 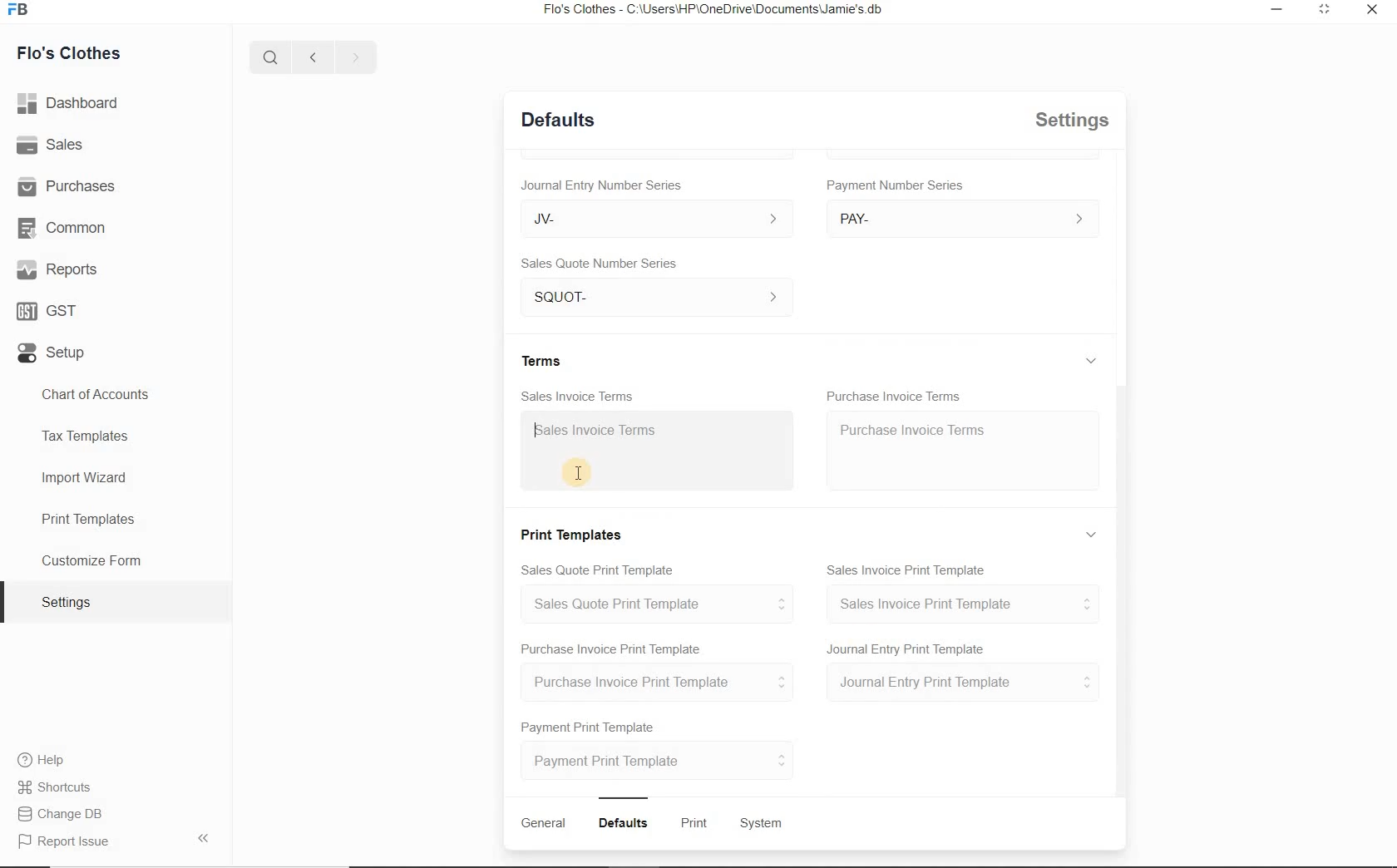 I want to click on JV-, so click(x=656, y=219).